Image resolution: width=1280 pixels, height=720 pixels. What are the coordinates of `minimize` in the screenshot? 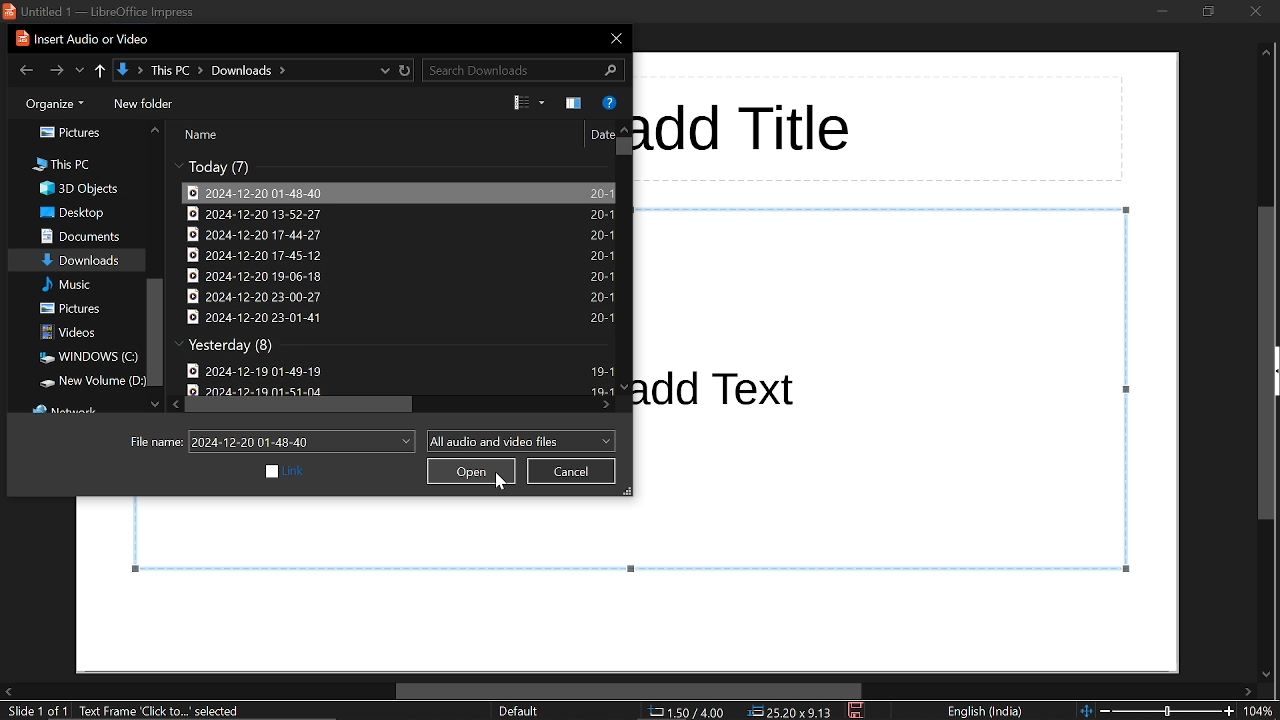 It's located at (1158, 13).